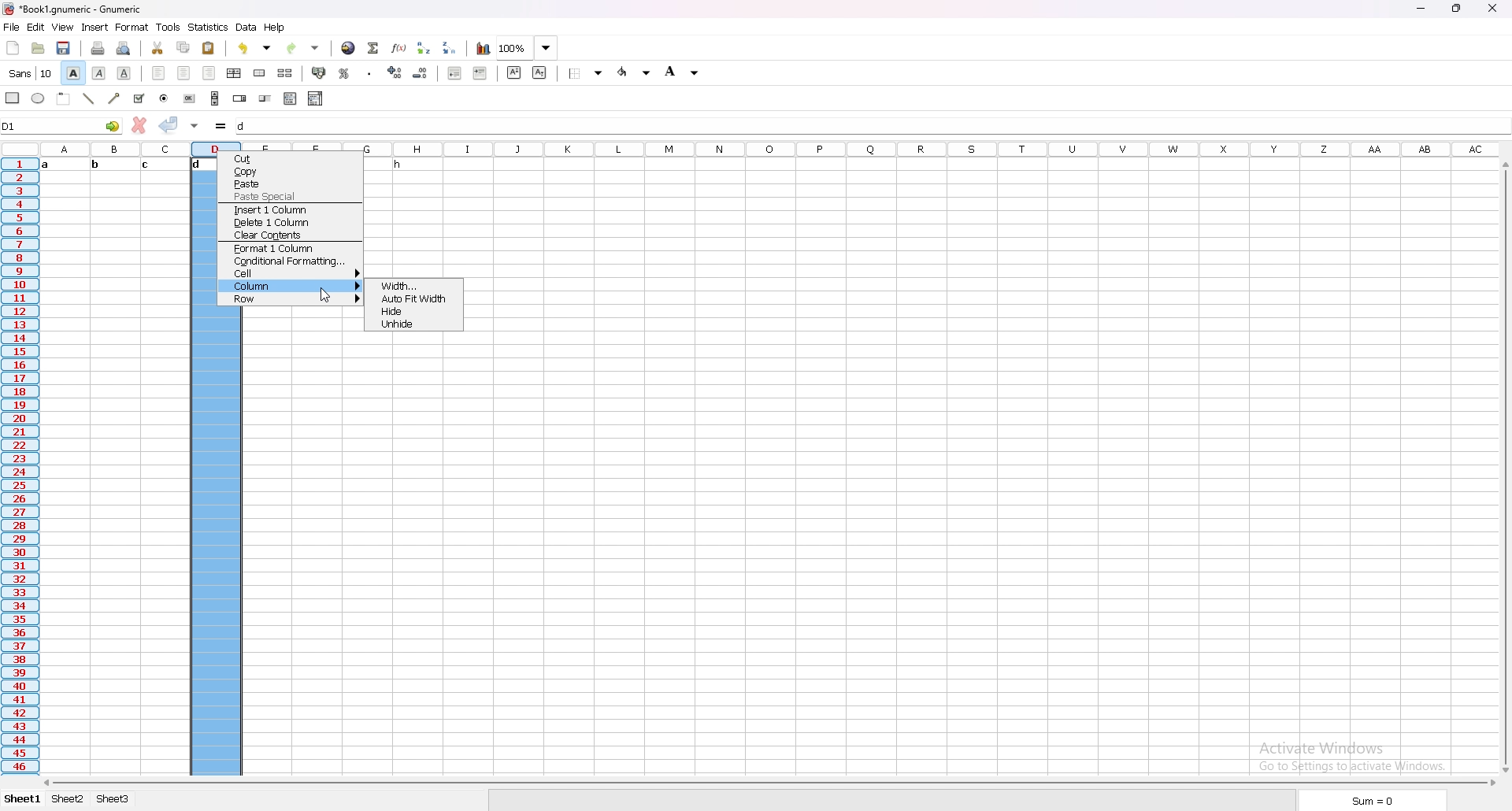  Describe the element at coordinates (872, 126) in the screenshot. I see `cell input` at that location.